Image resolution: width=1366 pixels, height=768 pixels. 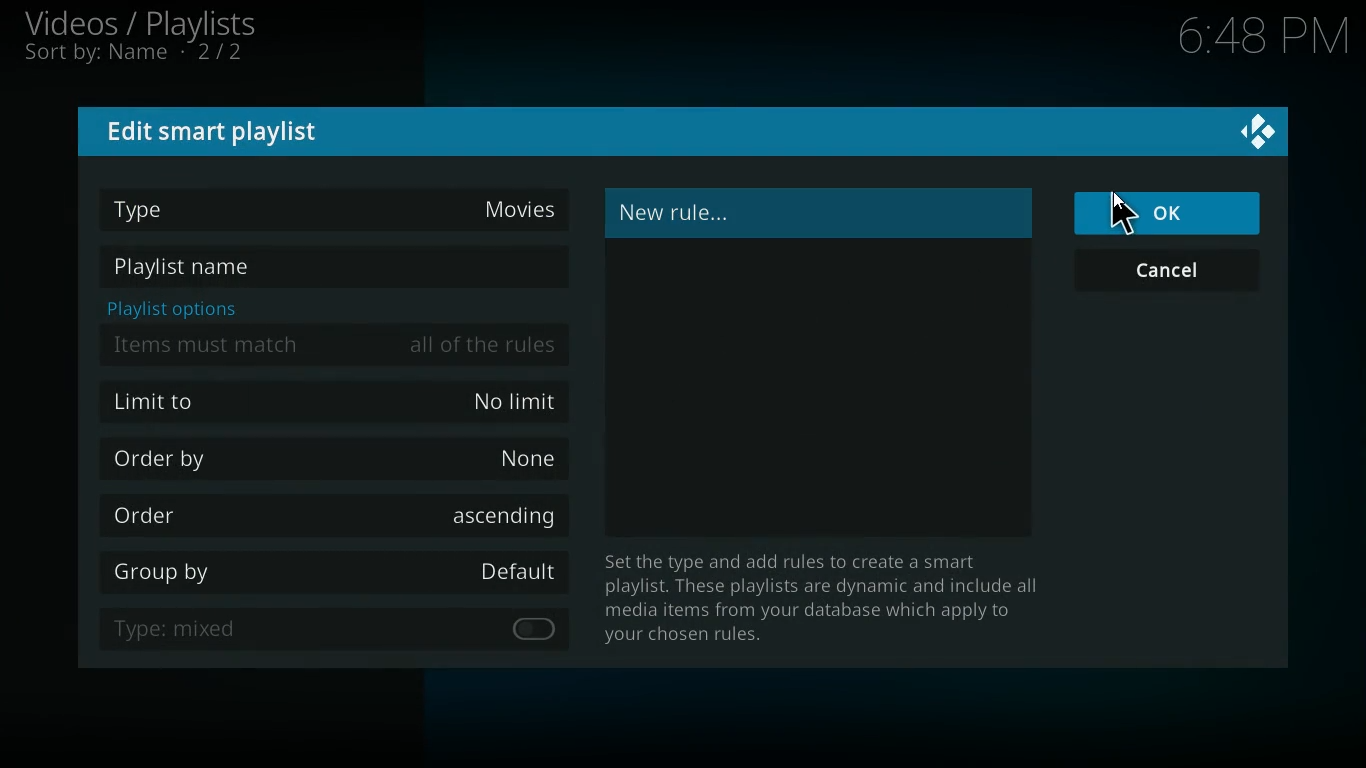 I want to click on sort by name, so click(x=145, y=55).